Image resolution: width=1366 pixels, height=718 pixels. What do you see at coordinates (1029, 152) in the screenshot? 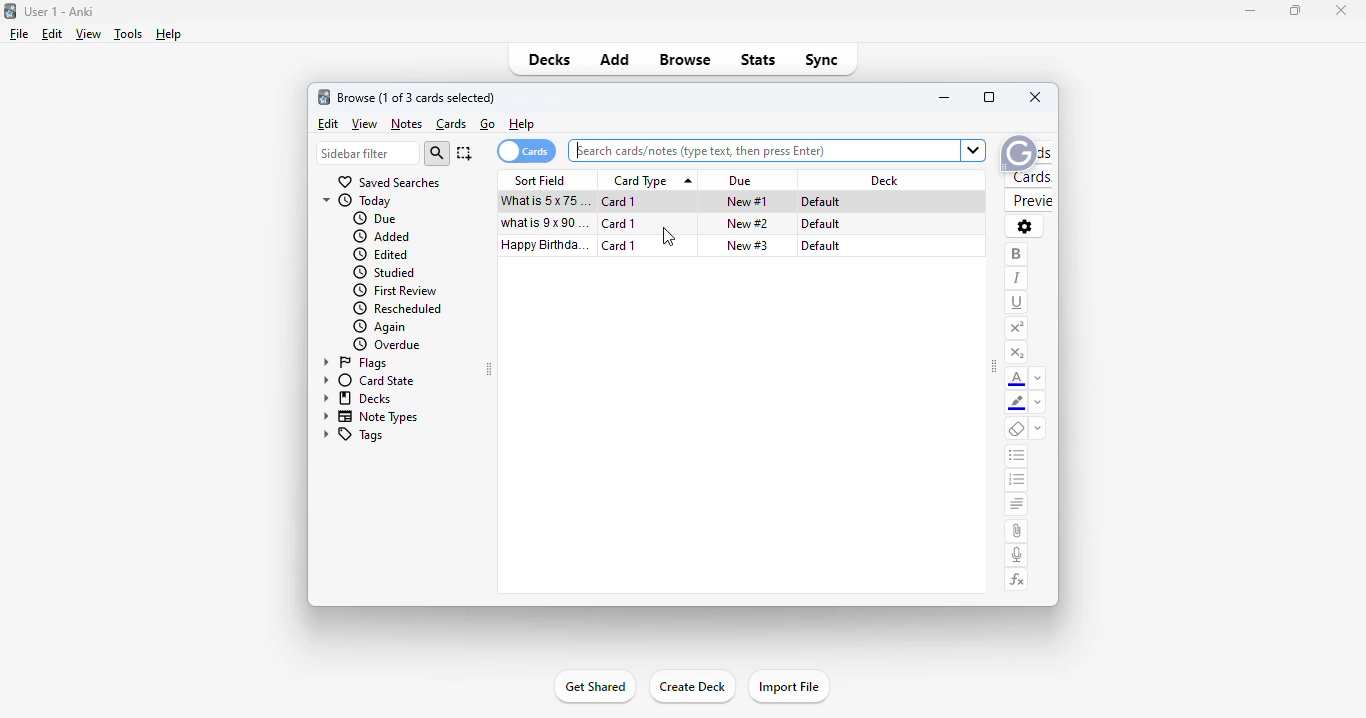
I see `fields` at bounding box center [1029, 152].